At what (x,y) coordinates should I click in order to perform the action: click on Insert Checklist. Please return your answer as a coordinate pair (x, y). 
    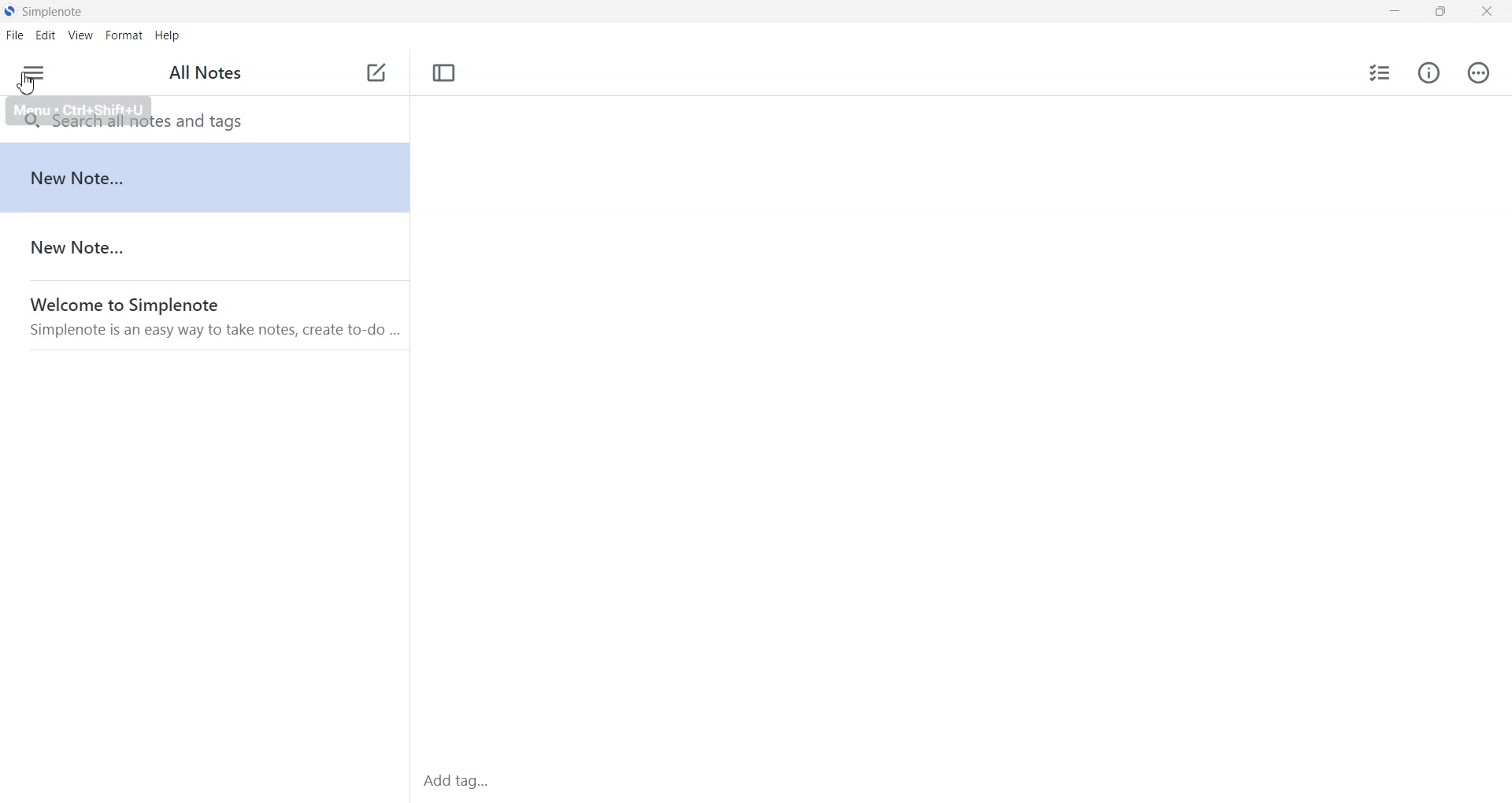
    Looking at the image, I should click on (1381, 72).